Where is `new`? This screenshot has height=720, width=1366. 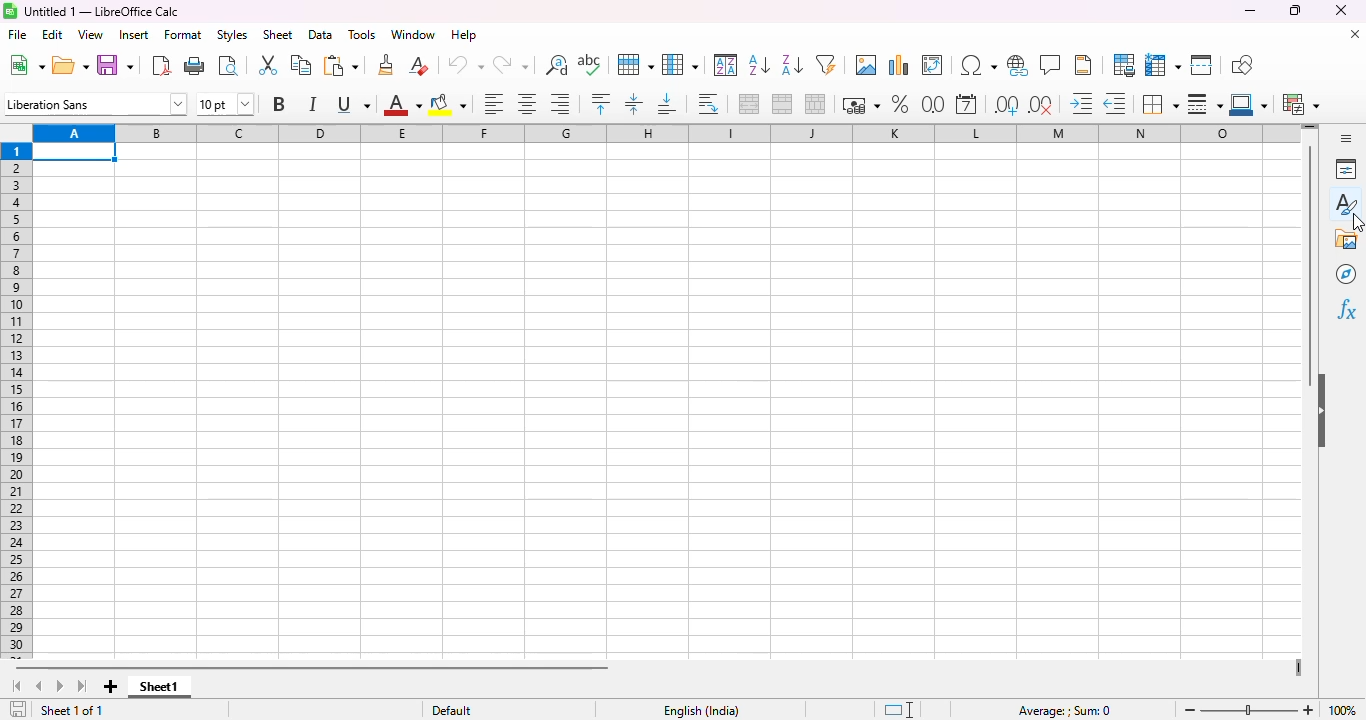
new is located at coordinates (25, 65).